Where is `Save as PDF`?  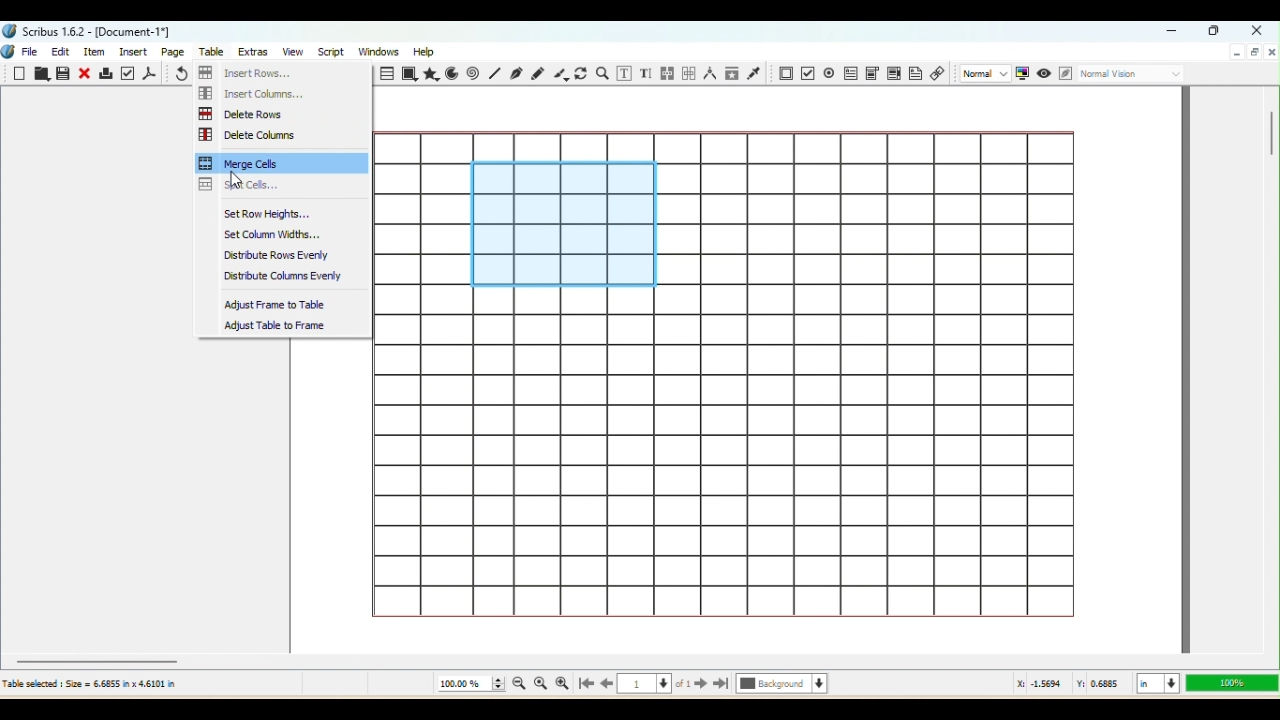
Save as PDF is located at coordinates (151, 73).